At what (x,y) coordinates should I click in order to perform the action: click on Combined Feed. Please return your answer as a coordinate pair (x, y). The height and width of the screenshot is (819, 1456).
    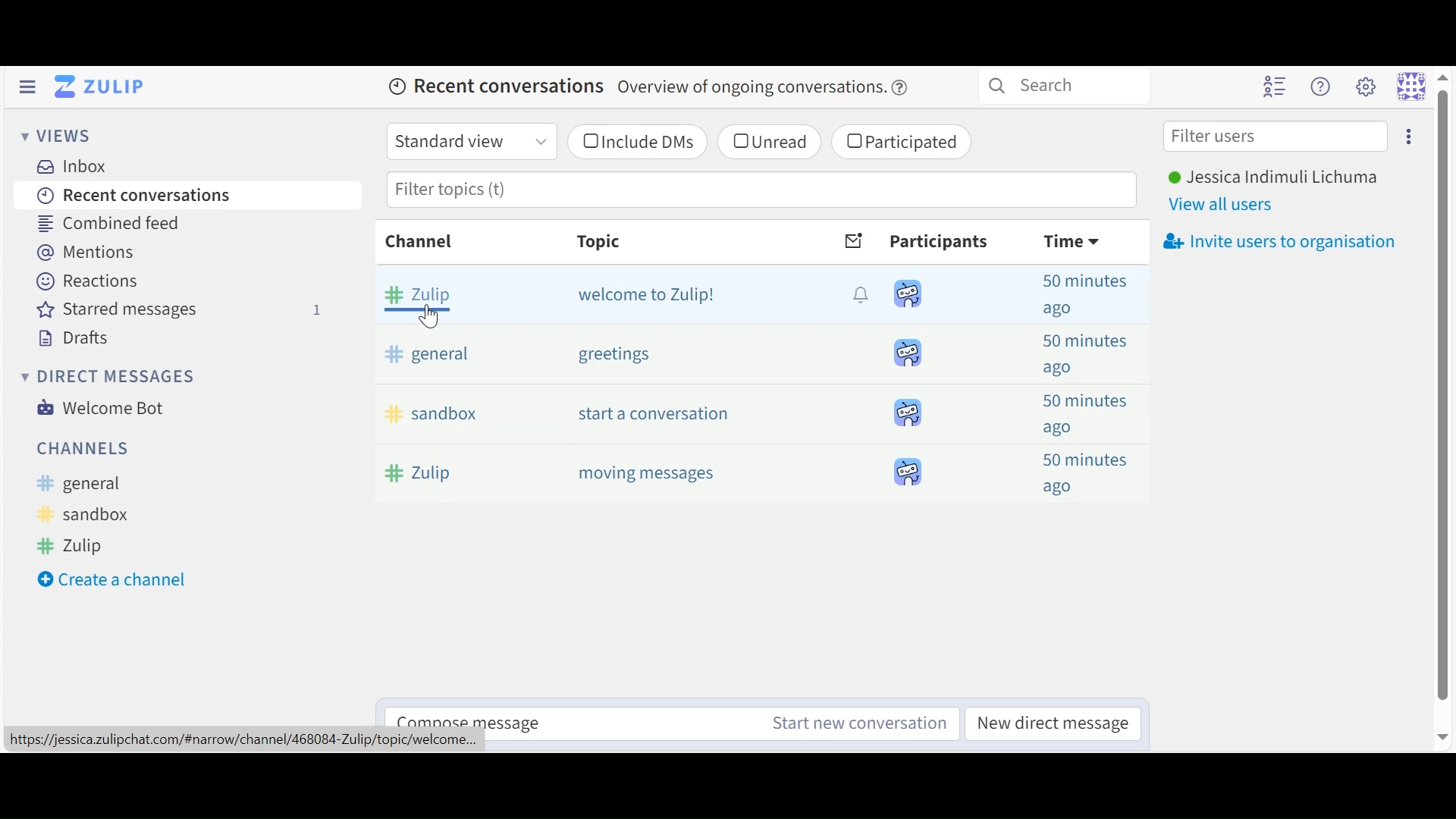
    Looking at the image, I should click on (102, 224).